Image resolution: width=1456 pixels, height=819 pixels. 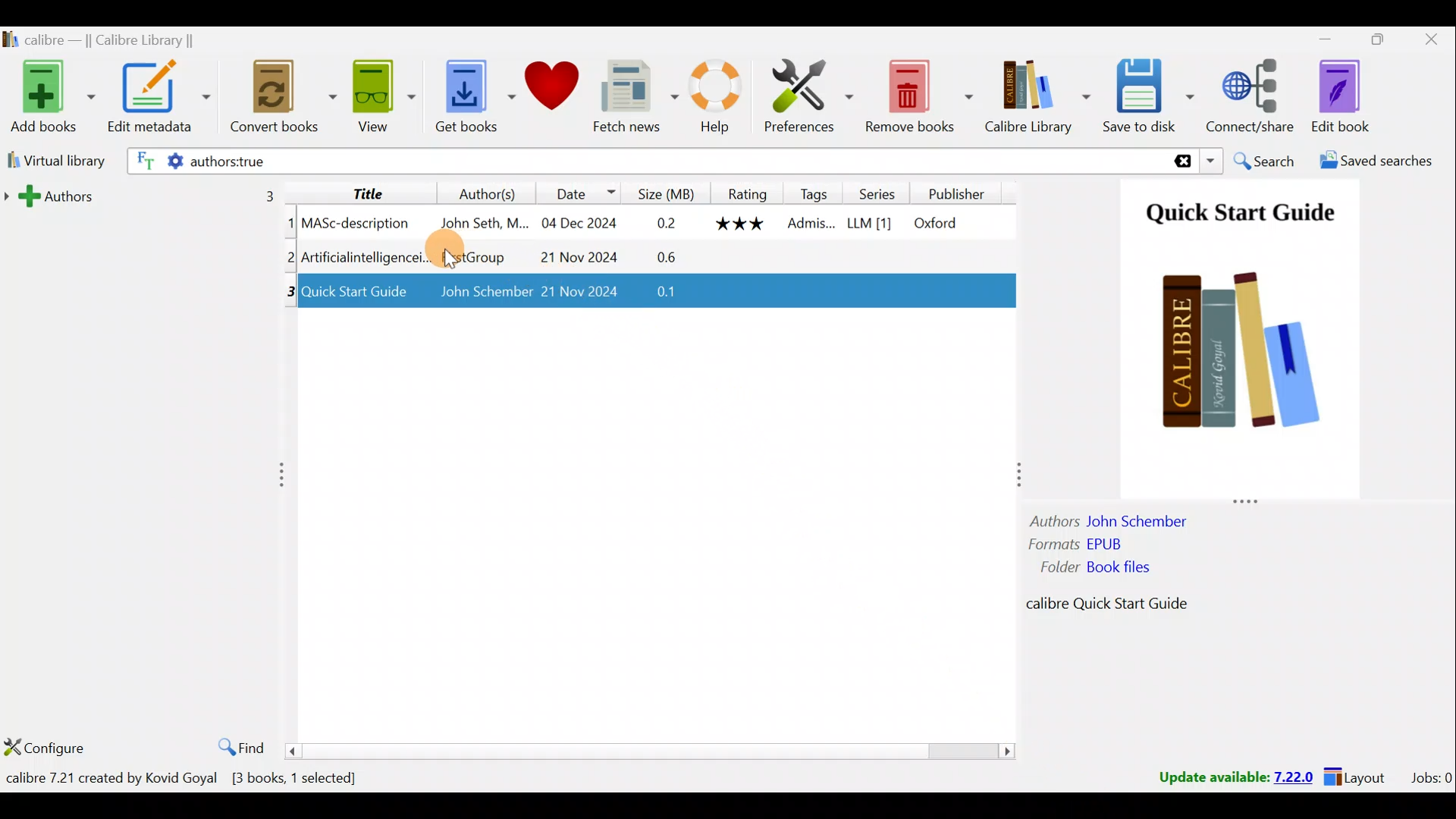 What do you see at coordinates (1263, 161) in the screenshot?
I see `Search` at bounding box center [1263, 161].